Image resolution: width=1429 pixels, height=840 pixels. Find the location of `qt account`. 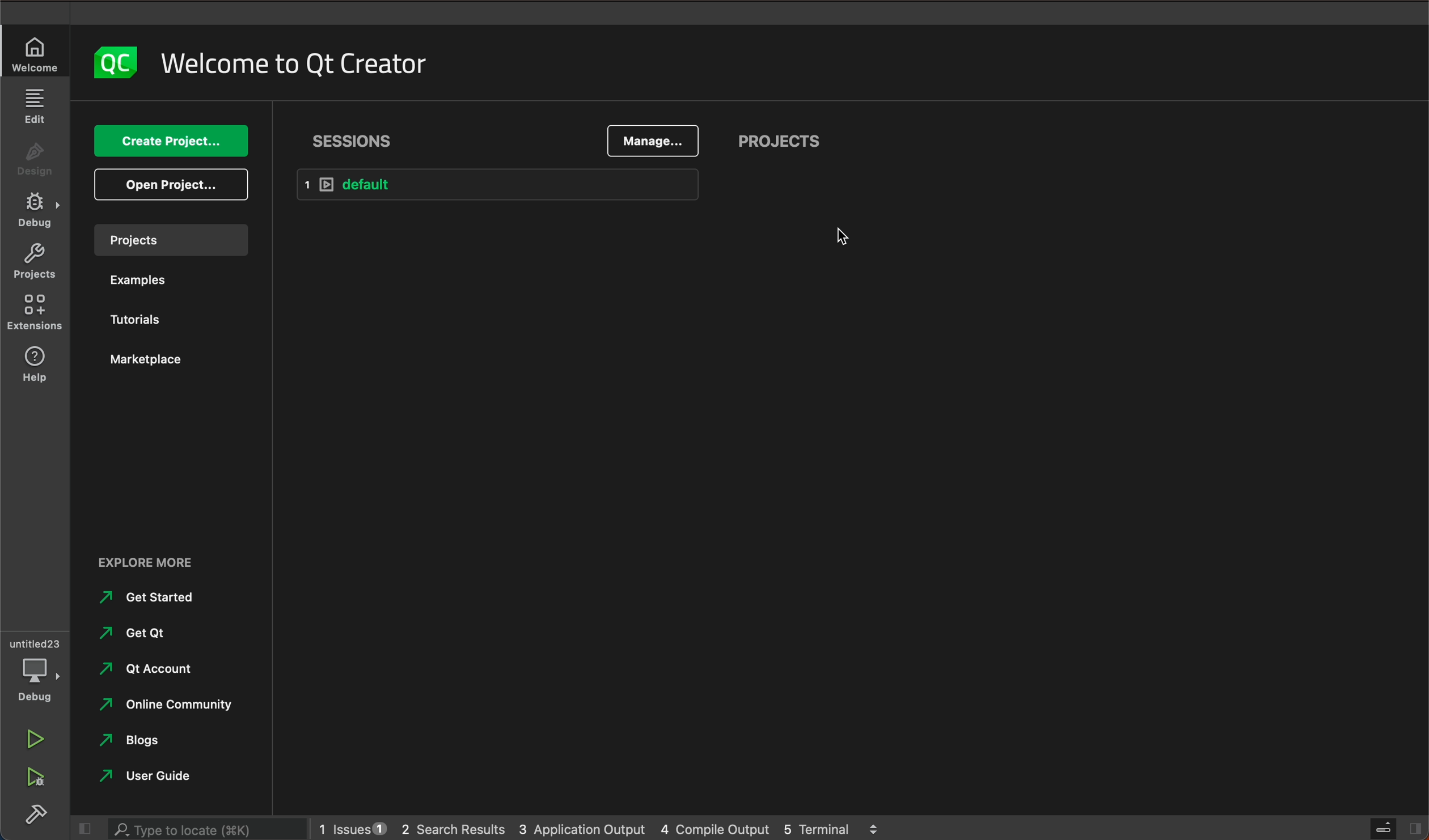

qt account is located at coordinates (163, 672).